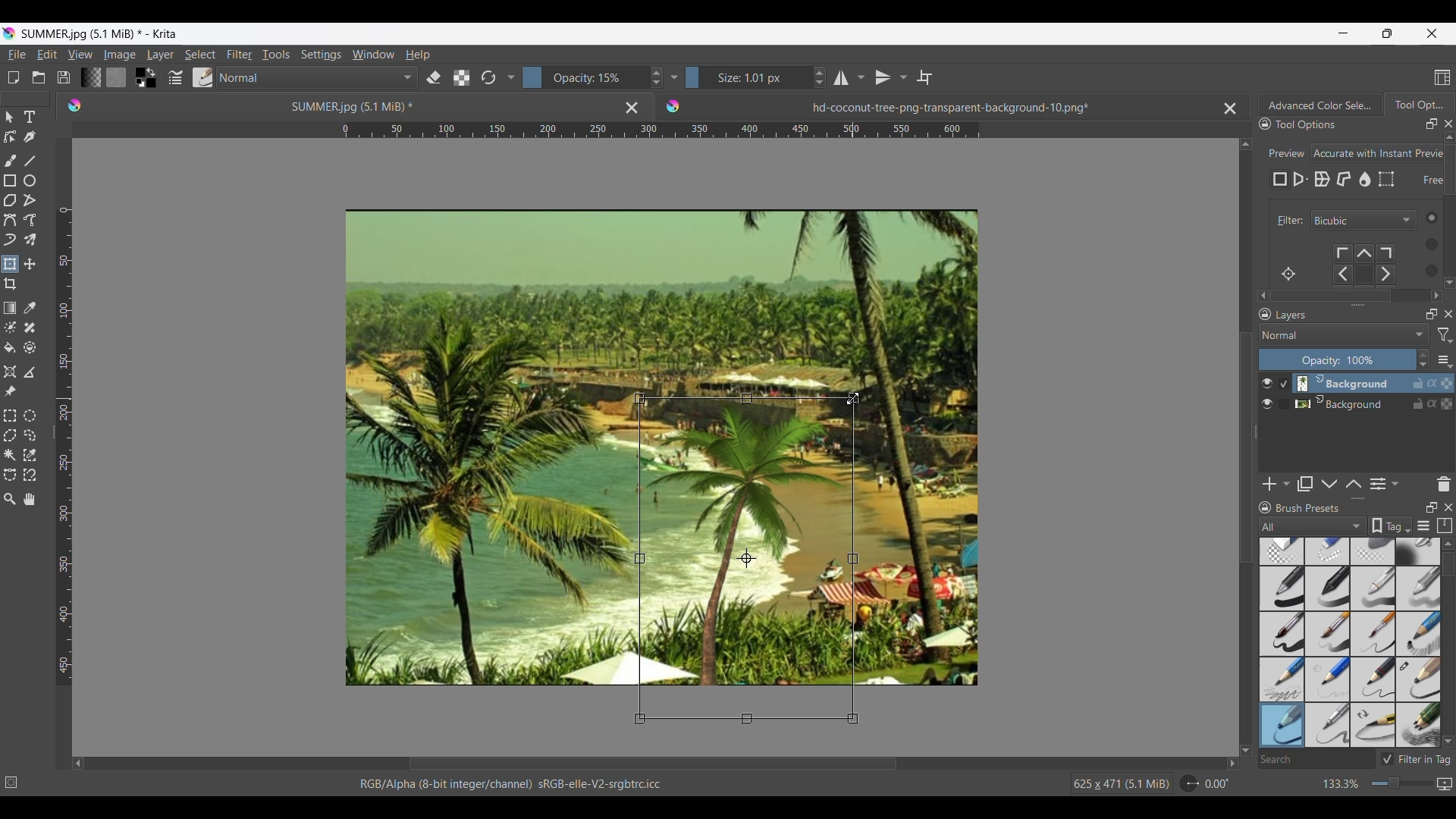  Describe the element at coordinates (1445, 483) in the screenshot. I see `Delete layer/mask` at that location.